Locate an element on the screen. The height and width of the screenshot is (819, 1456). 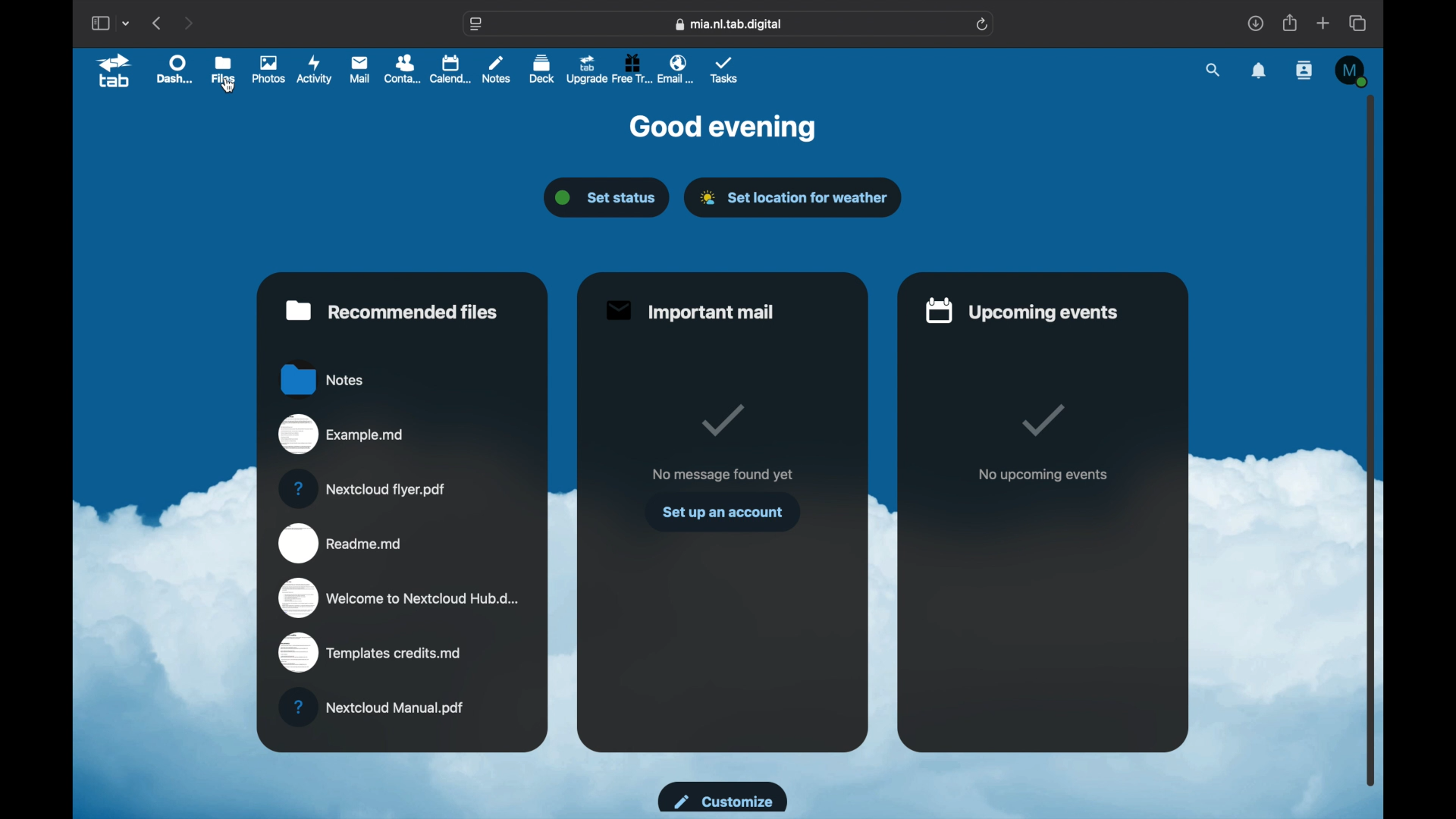
notifications is located at coordinates (1260, 71).